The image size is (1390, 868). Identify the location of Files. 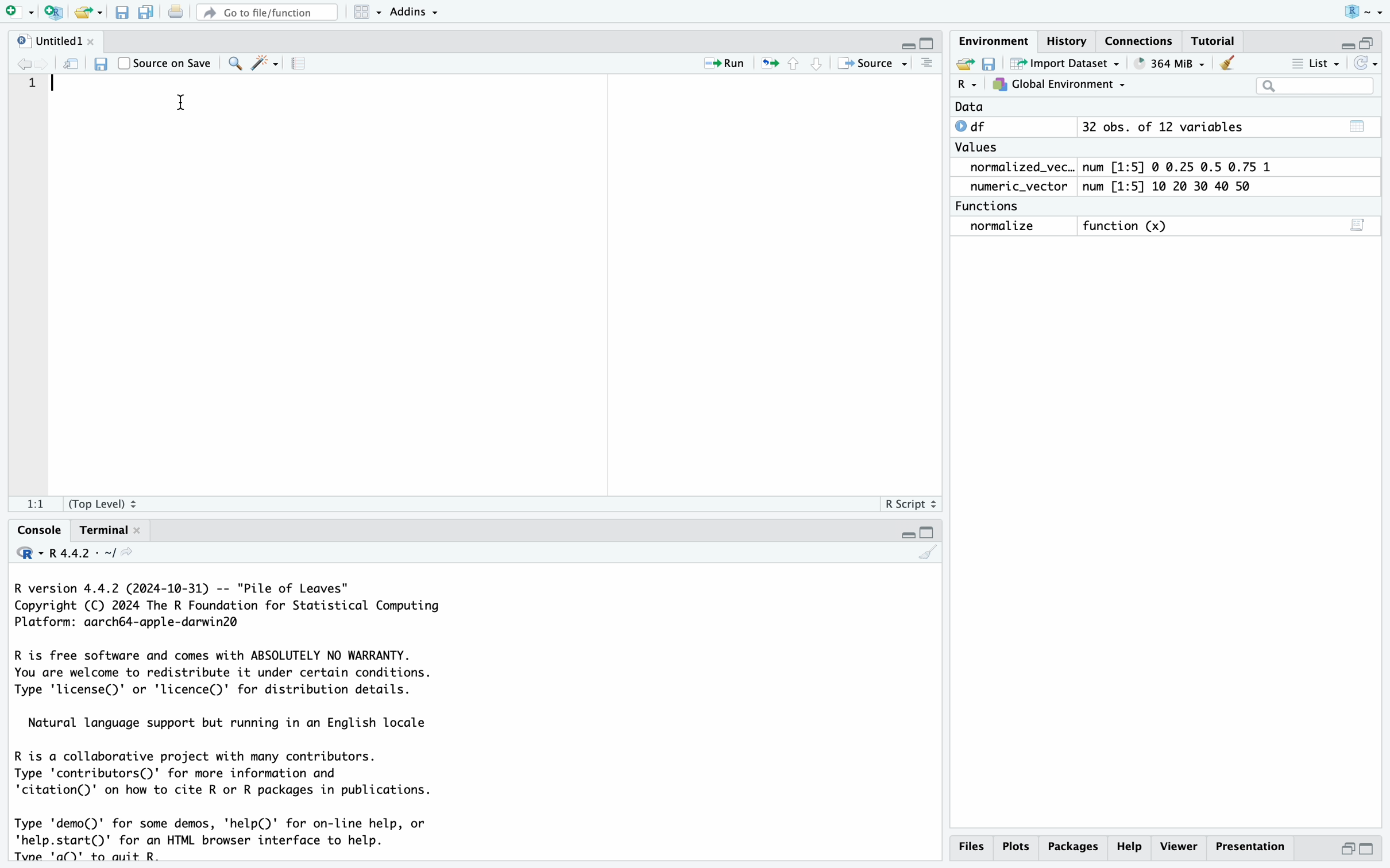
(970, 846).